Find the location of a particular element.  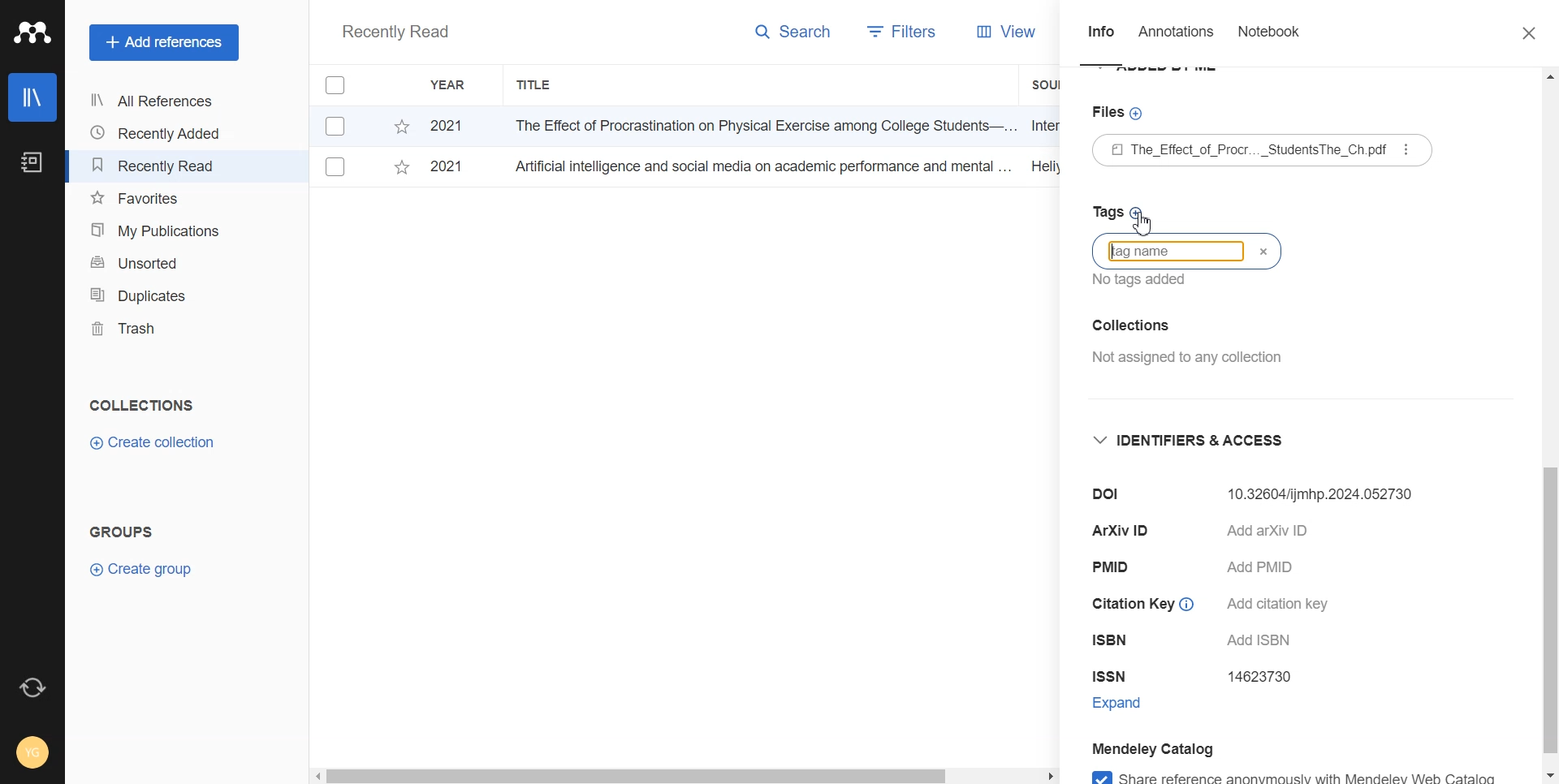

Groups is located at coordinates (126, 532).